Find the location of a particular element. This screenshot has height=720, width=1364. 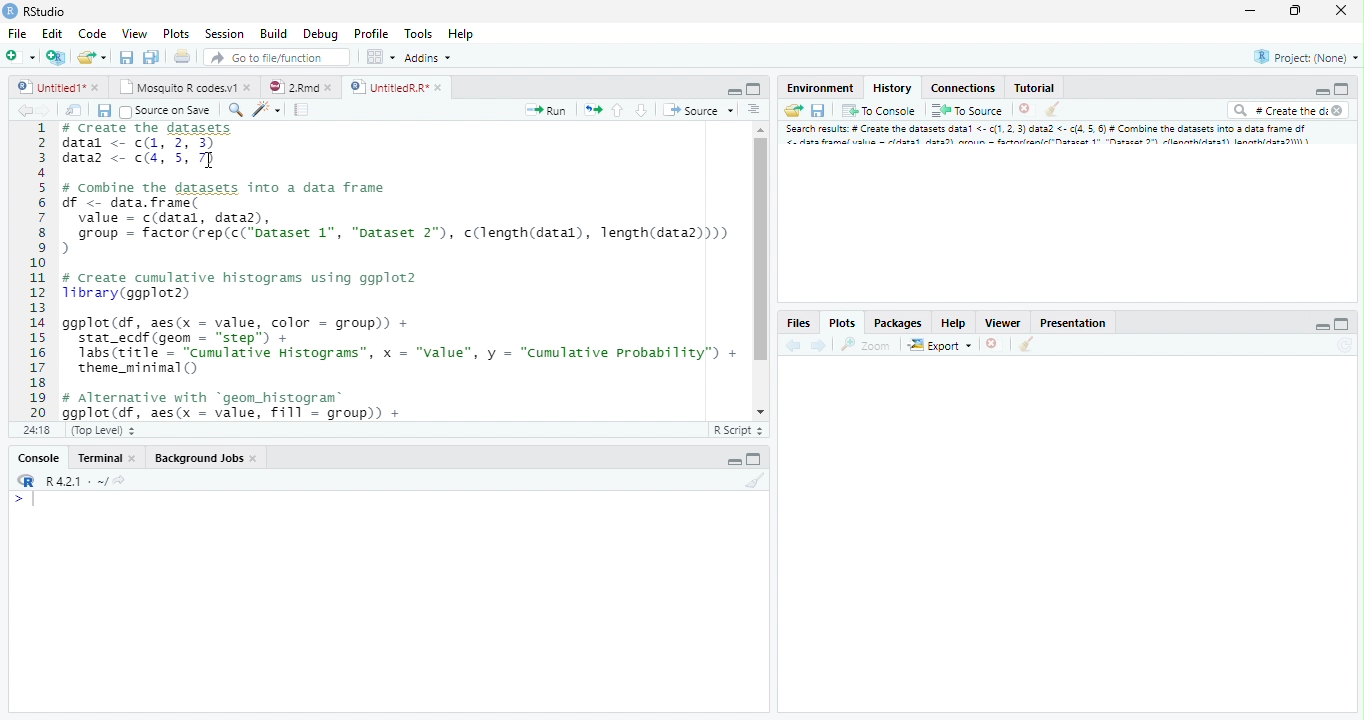

Delete is located at coordinates (1025, 109).